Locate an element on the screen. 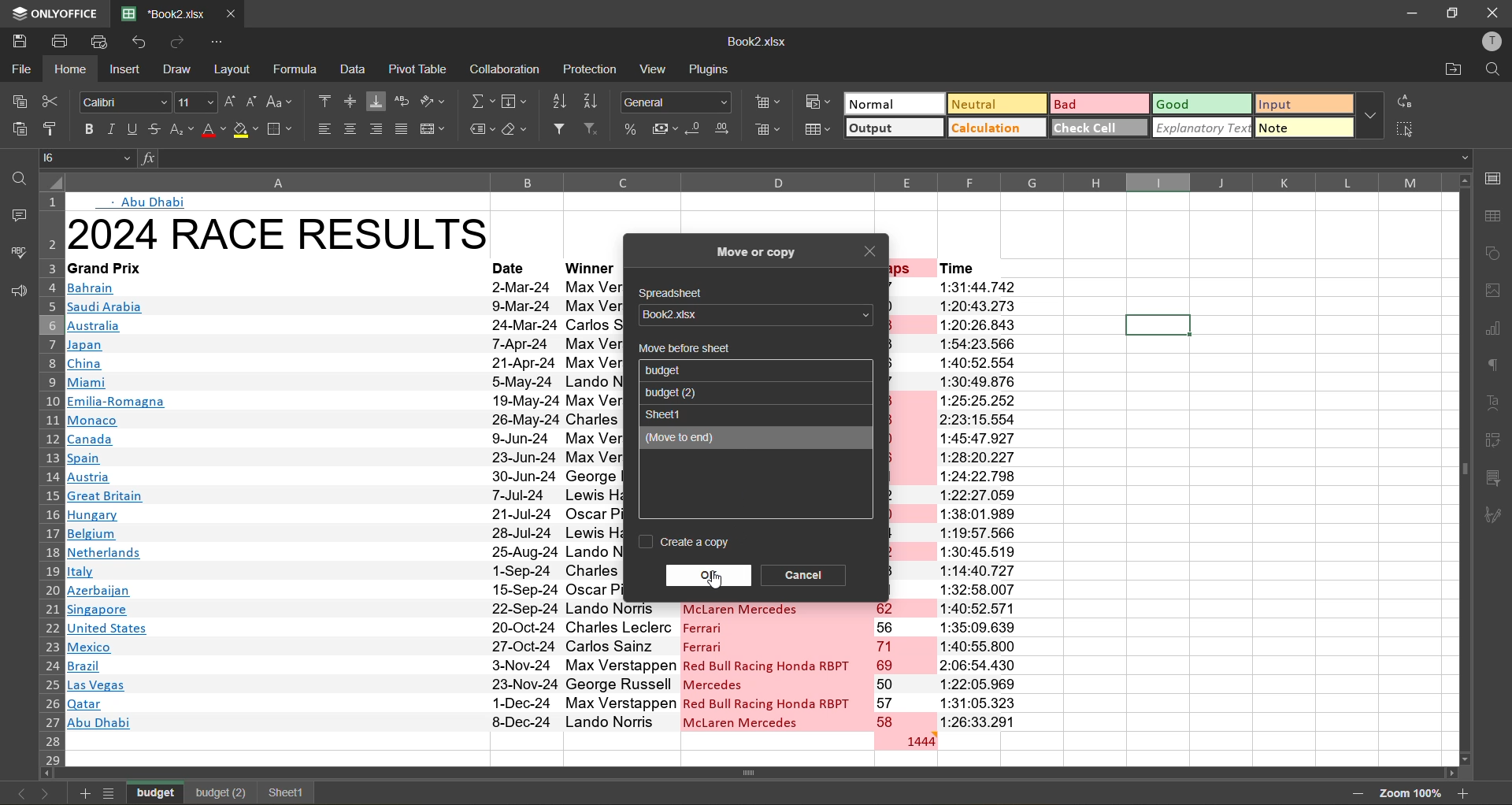 The height and width of the screenshot is (805, 1512). sheet name is located at coordinates (673, 392).